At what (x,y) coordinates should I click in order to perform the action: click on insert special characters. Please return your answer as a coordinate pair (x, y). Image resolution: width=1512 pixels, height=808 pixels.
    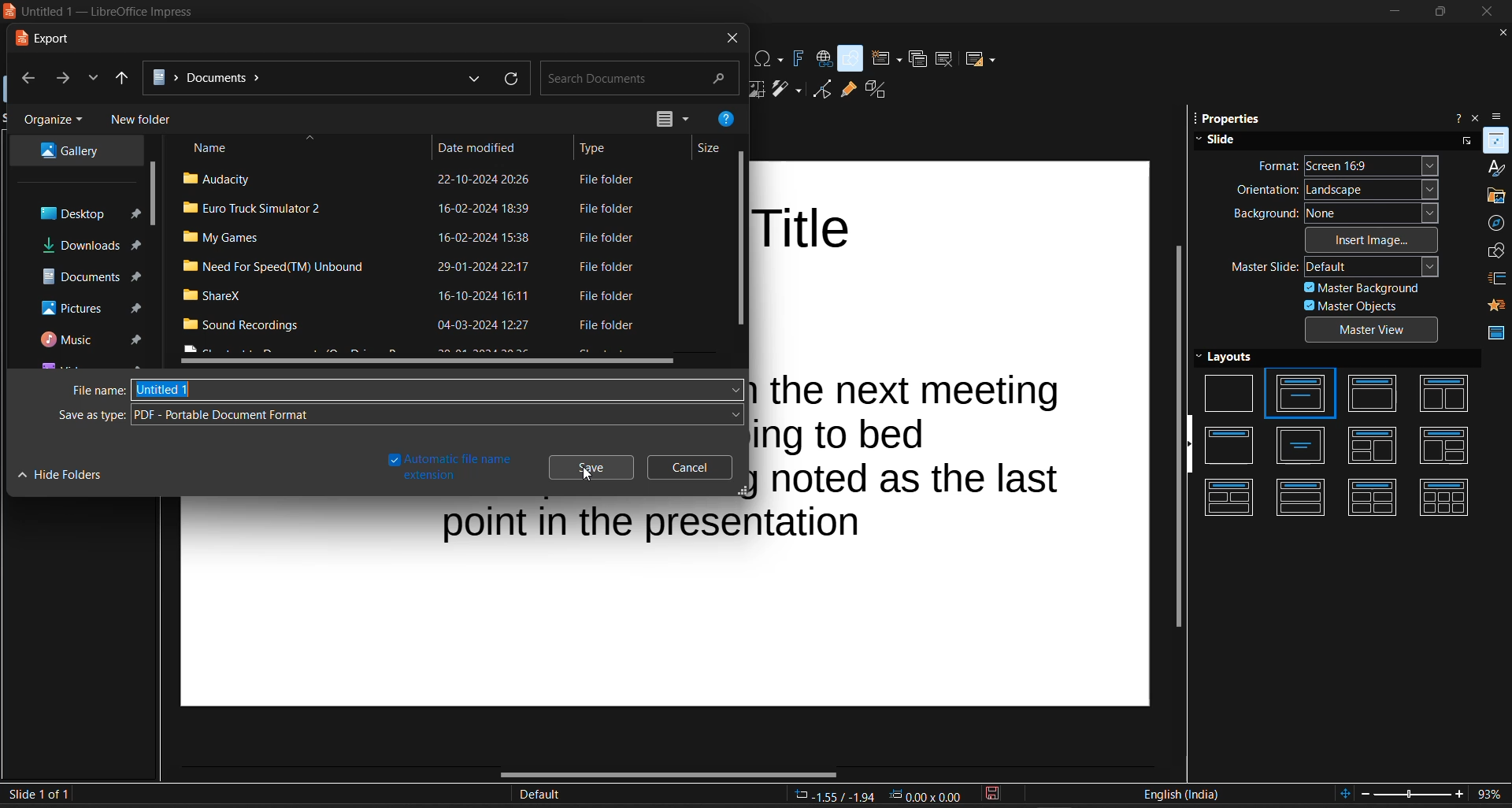
    Looking at the image, I should click on (769, 59).